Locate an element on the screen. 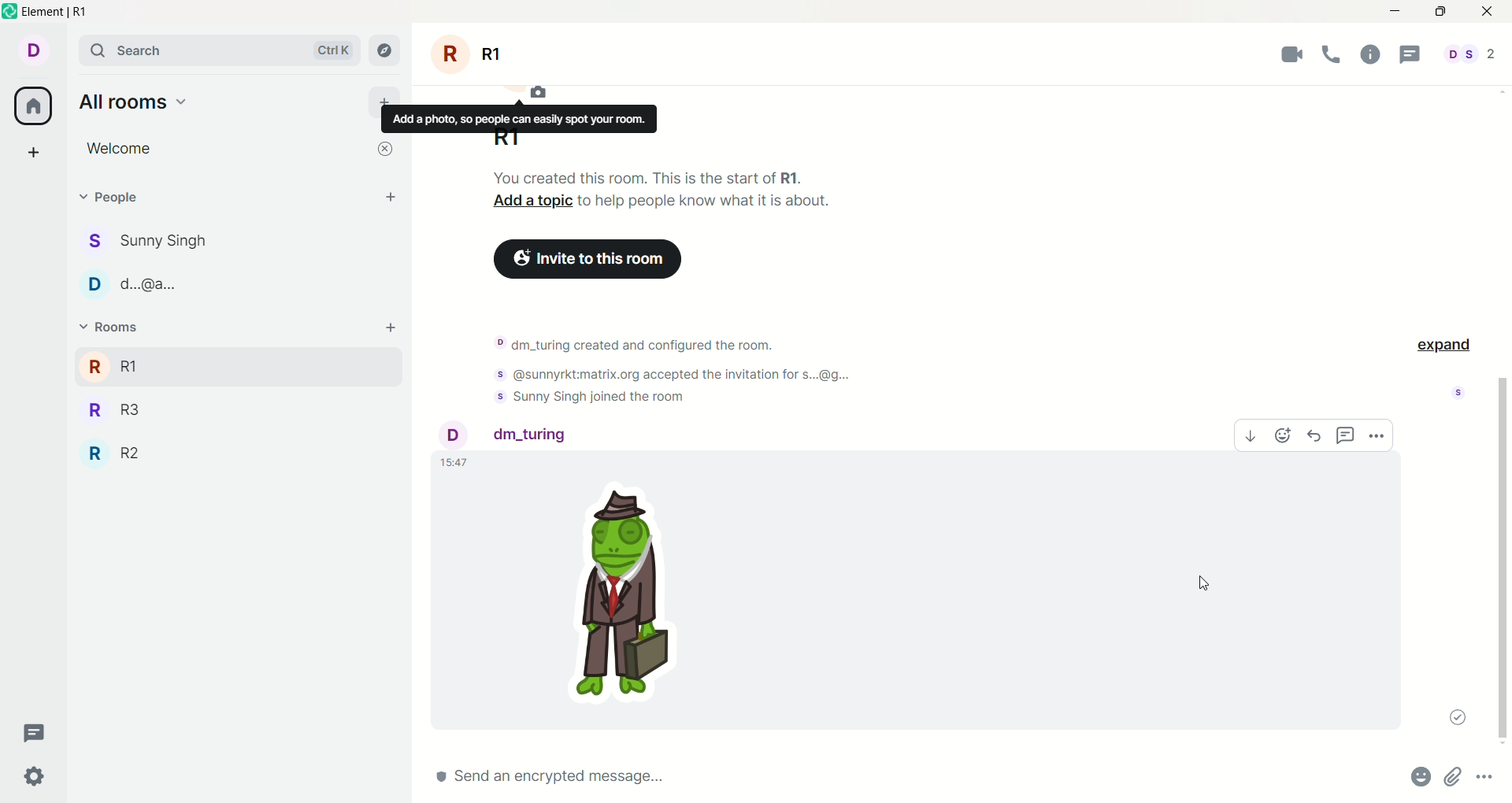  d...@a... chat is located at coordinates (132, 284).